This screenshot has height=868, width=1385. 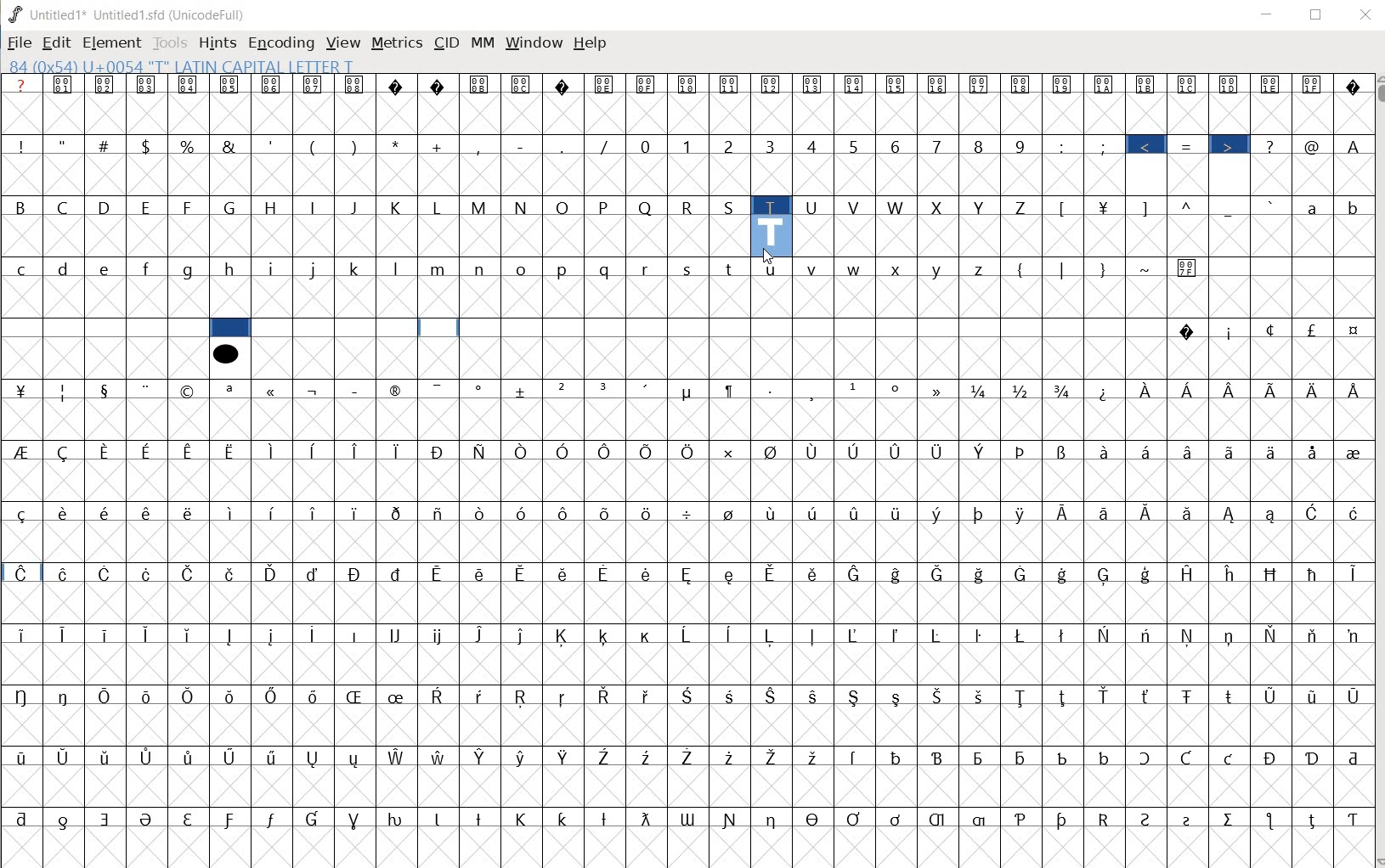 I want to click on Symbol, so click(x=1144, y=758).